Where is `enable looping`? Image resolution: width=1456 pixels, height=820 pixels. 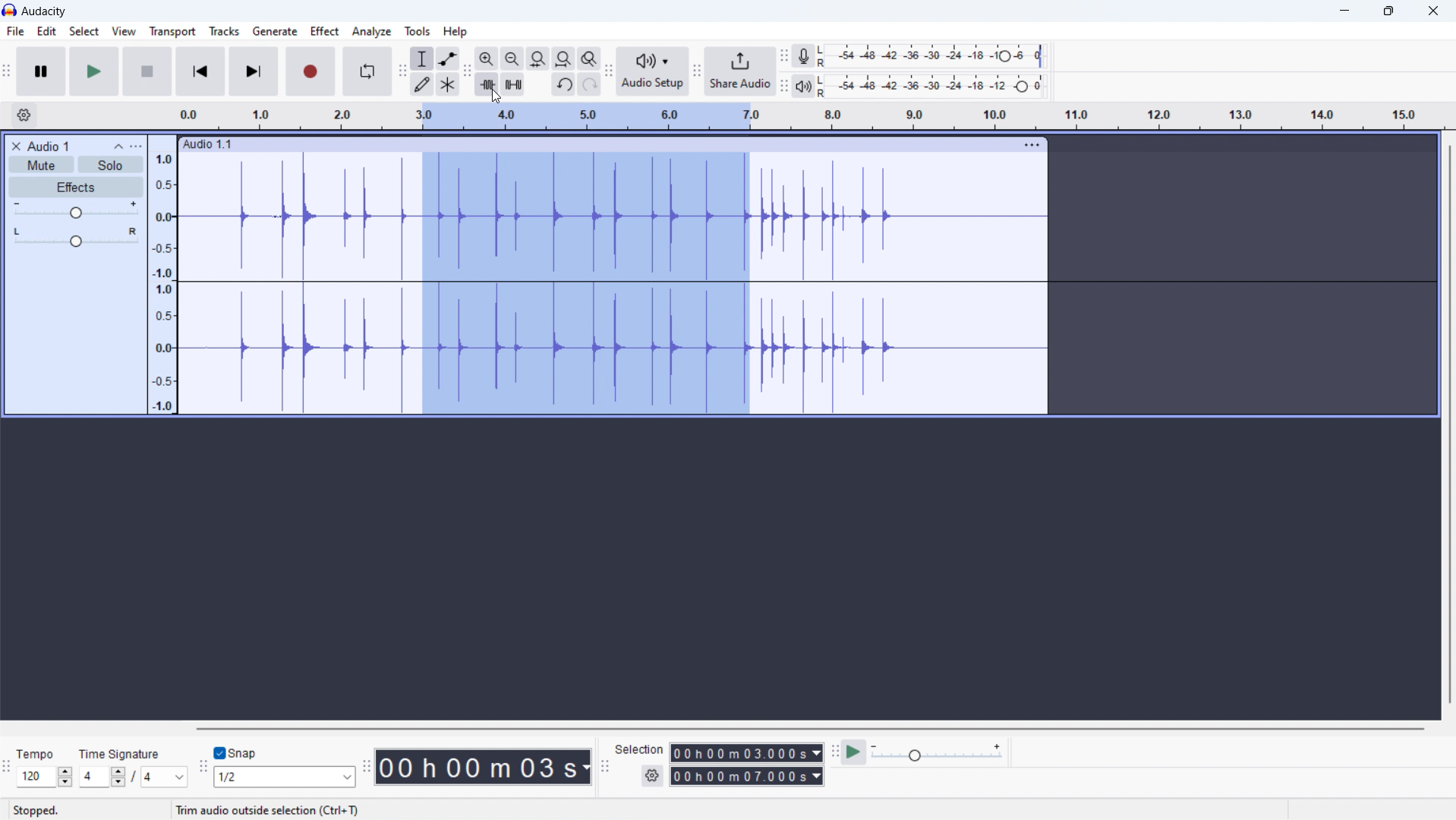
enable looping is located at coordinates (367, 72).